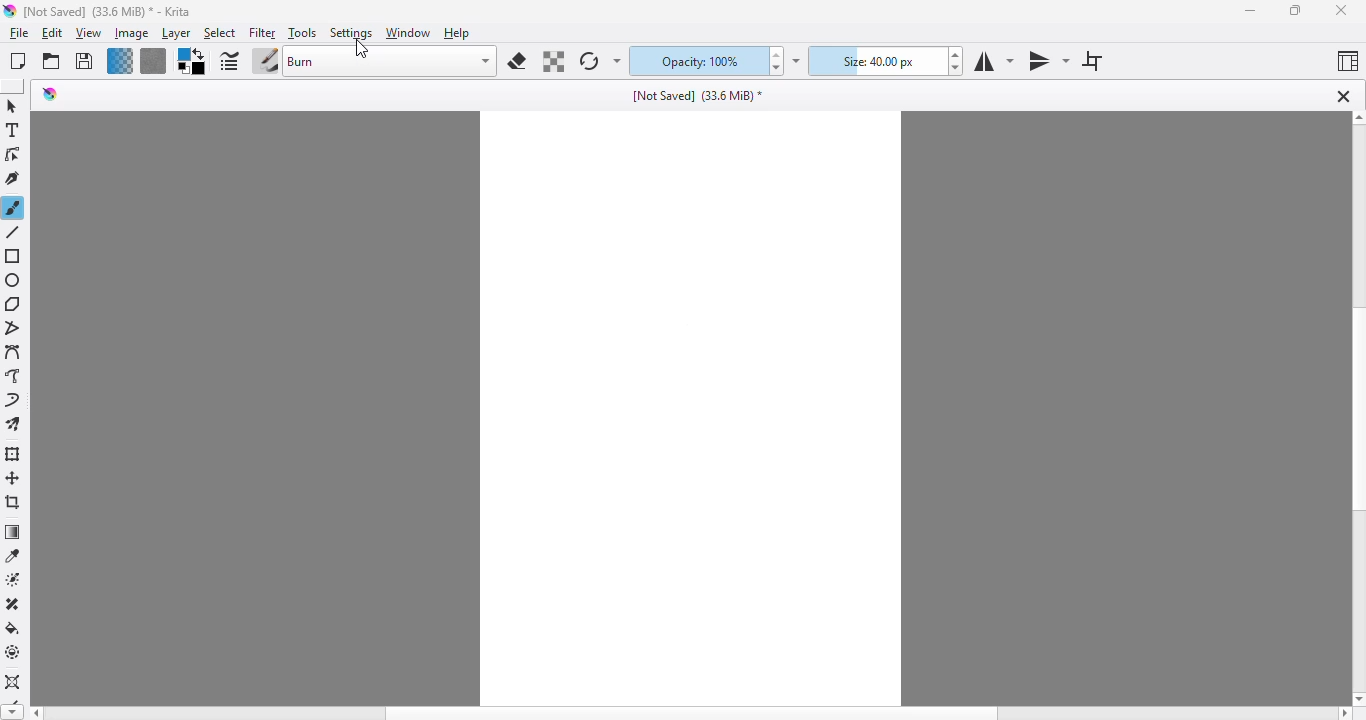  Describe the element at coordinates (1343, 96) in the screenshot. I see `close tab` at that location.